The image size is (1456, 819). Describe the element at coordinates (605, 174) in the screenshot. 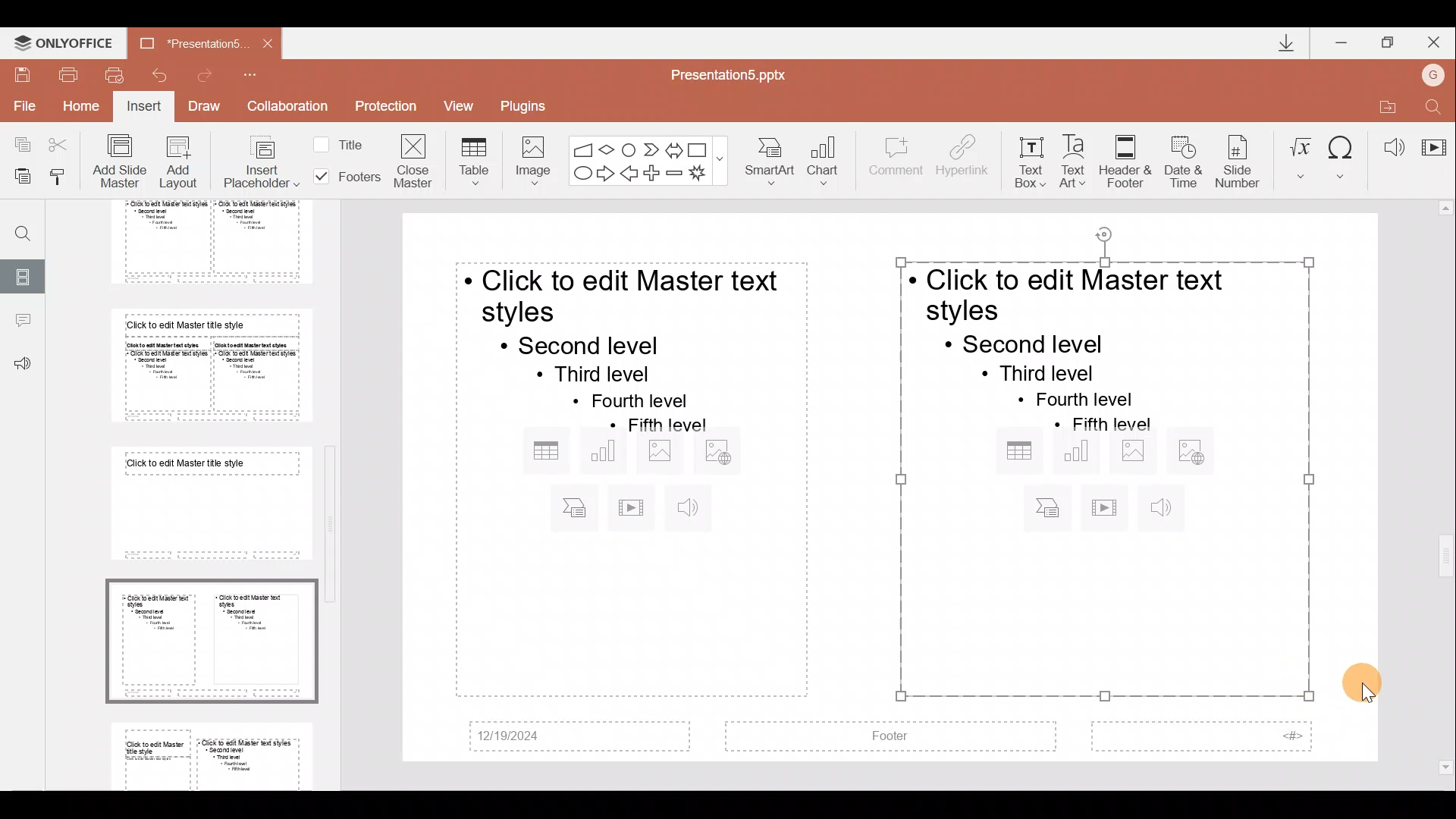

I see `Right arrow` at that location.